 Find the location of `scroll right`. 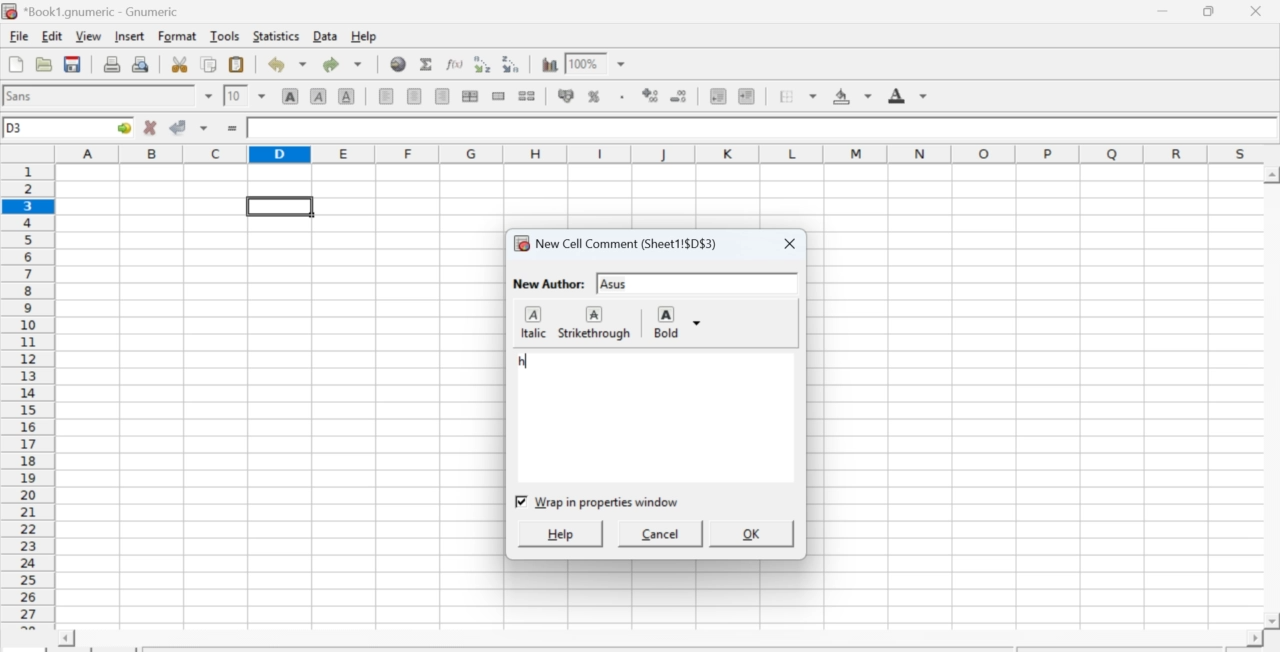

scroll right is located at coordinates (1254, 638).